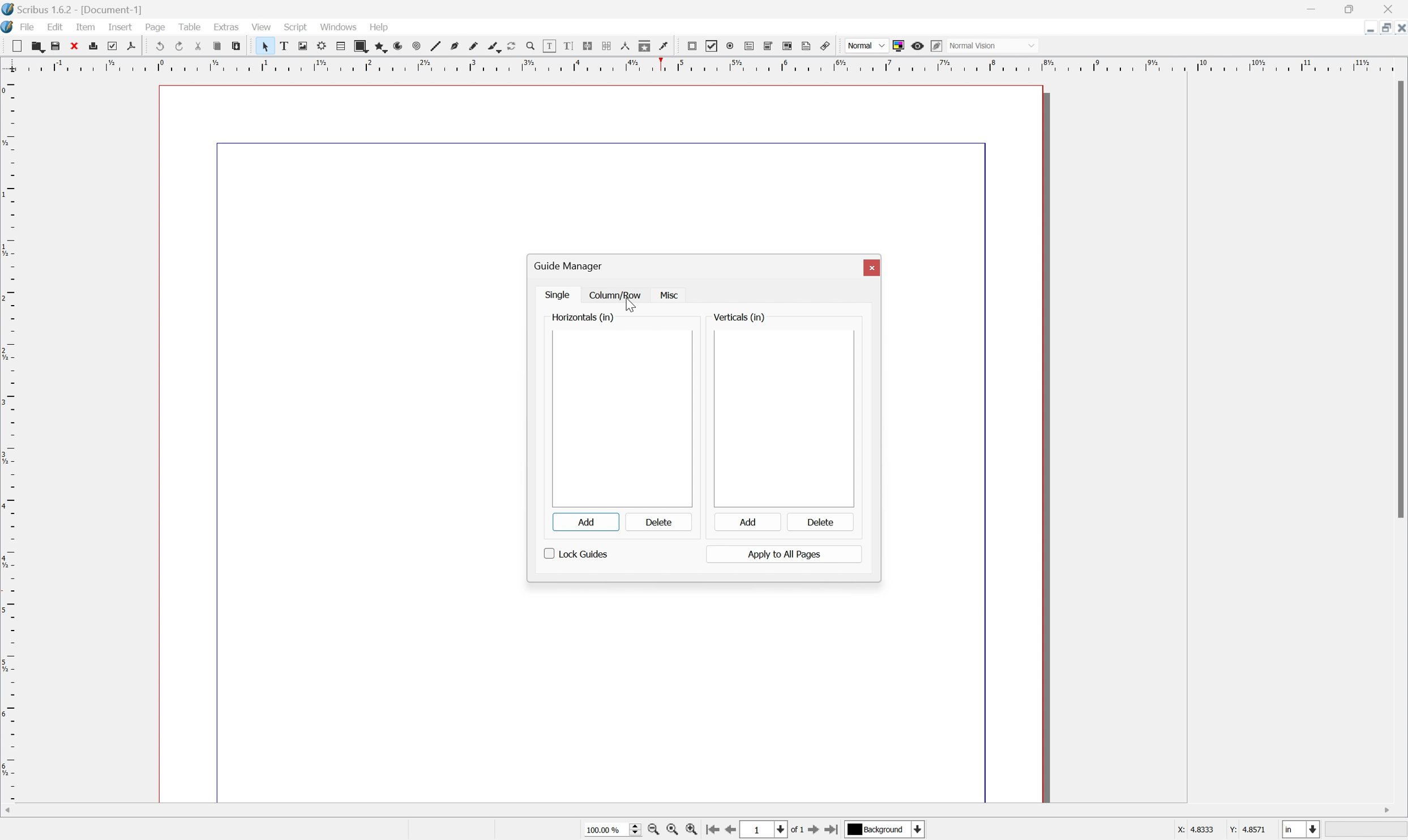 The image size is (1408, 840). Describe the element at coordinates (671, 830) in the screenshot. I see `zoom out` at that location.